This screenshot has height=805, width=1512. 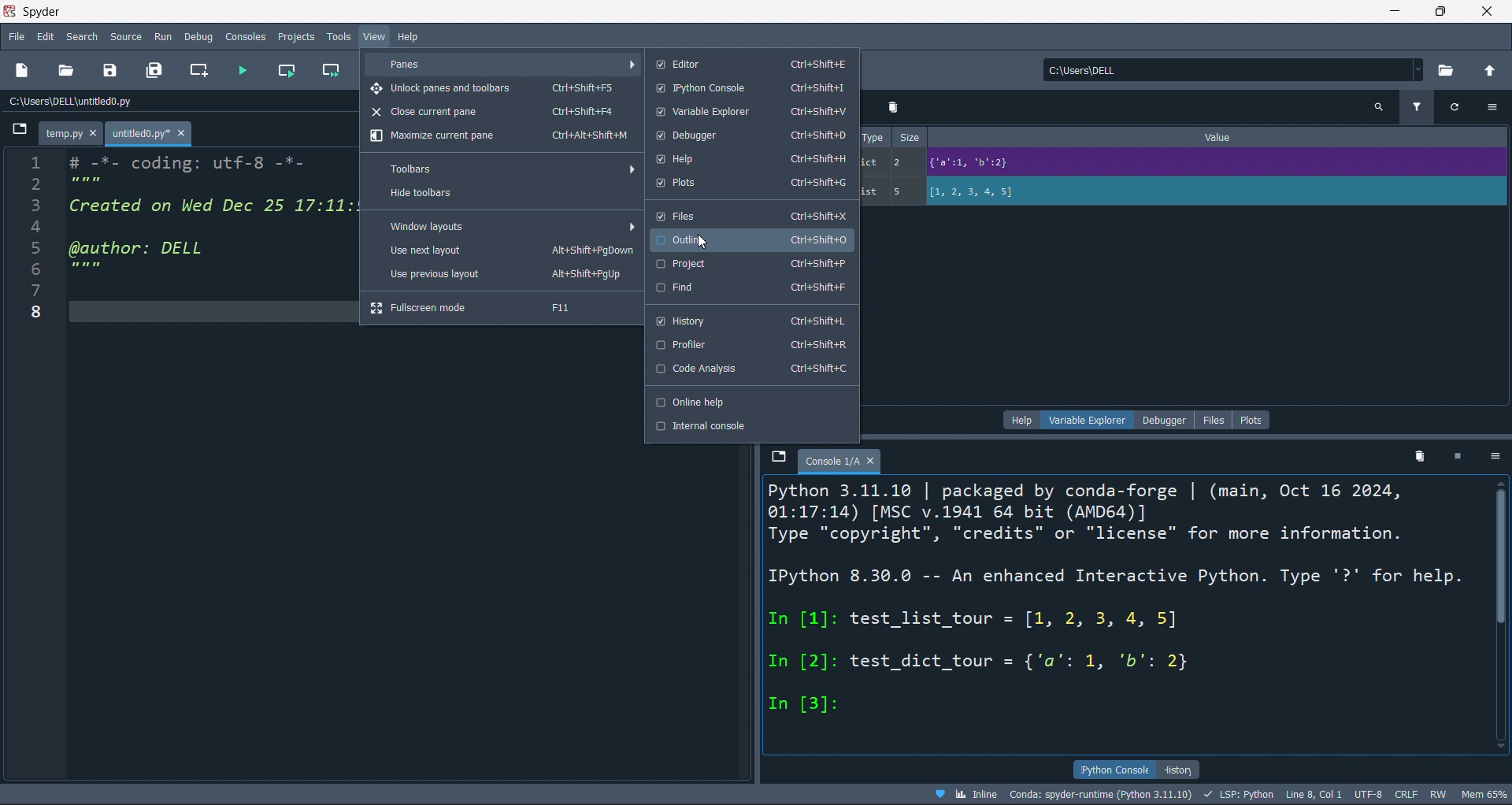 I want to click on profiler, so click(x=747, y=344).